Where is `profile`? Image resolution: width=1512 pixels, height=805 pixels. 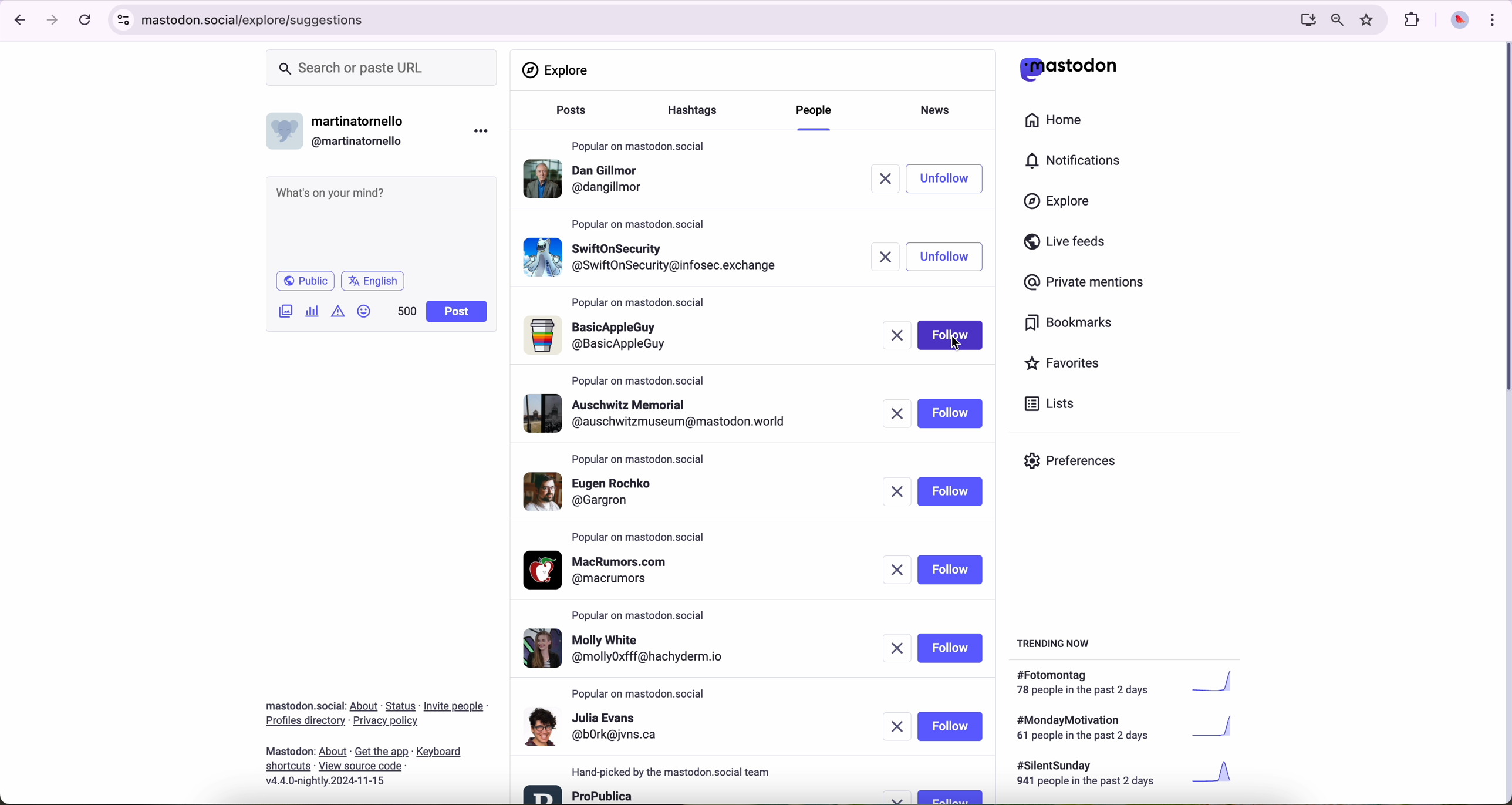
profile is located at coordinates (635, 649).